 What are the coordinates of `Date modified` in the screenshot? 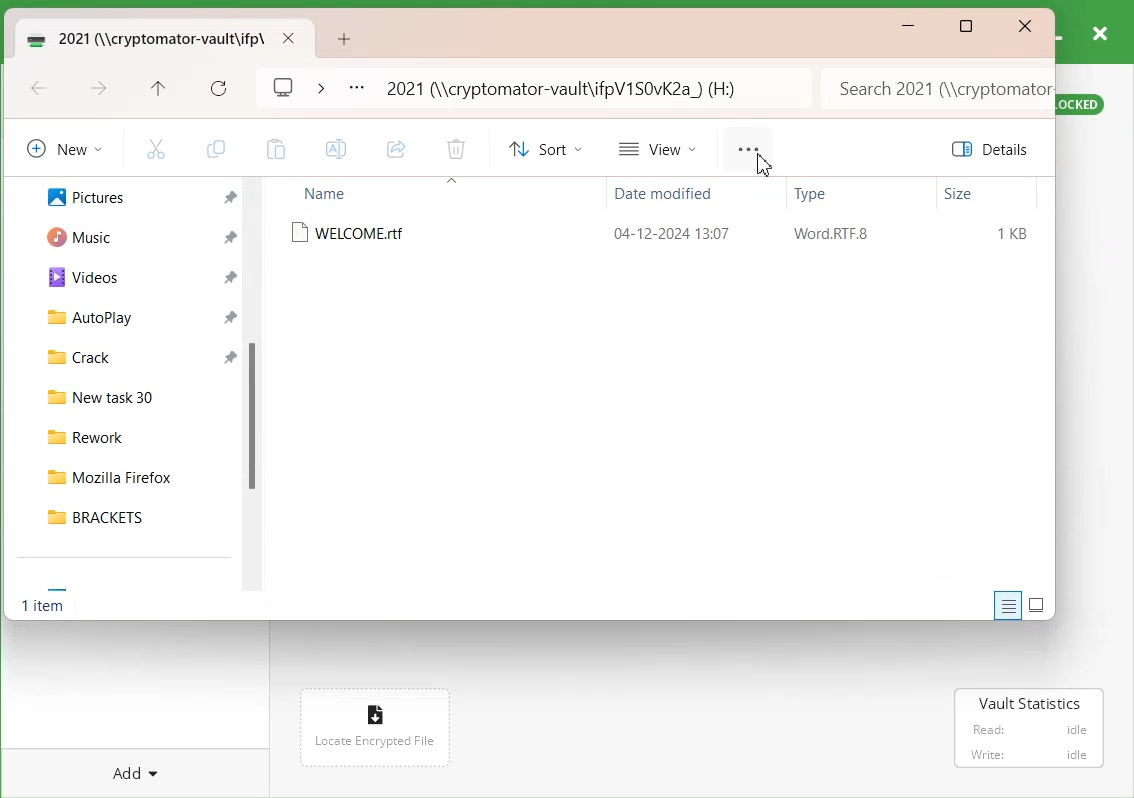 It's located at (672, 192).